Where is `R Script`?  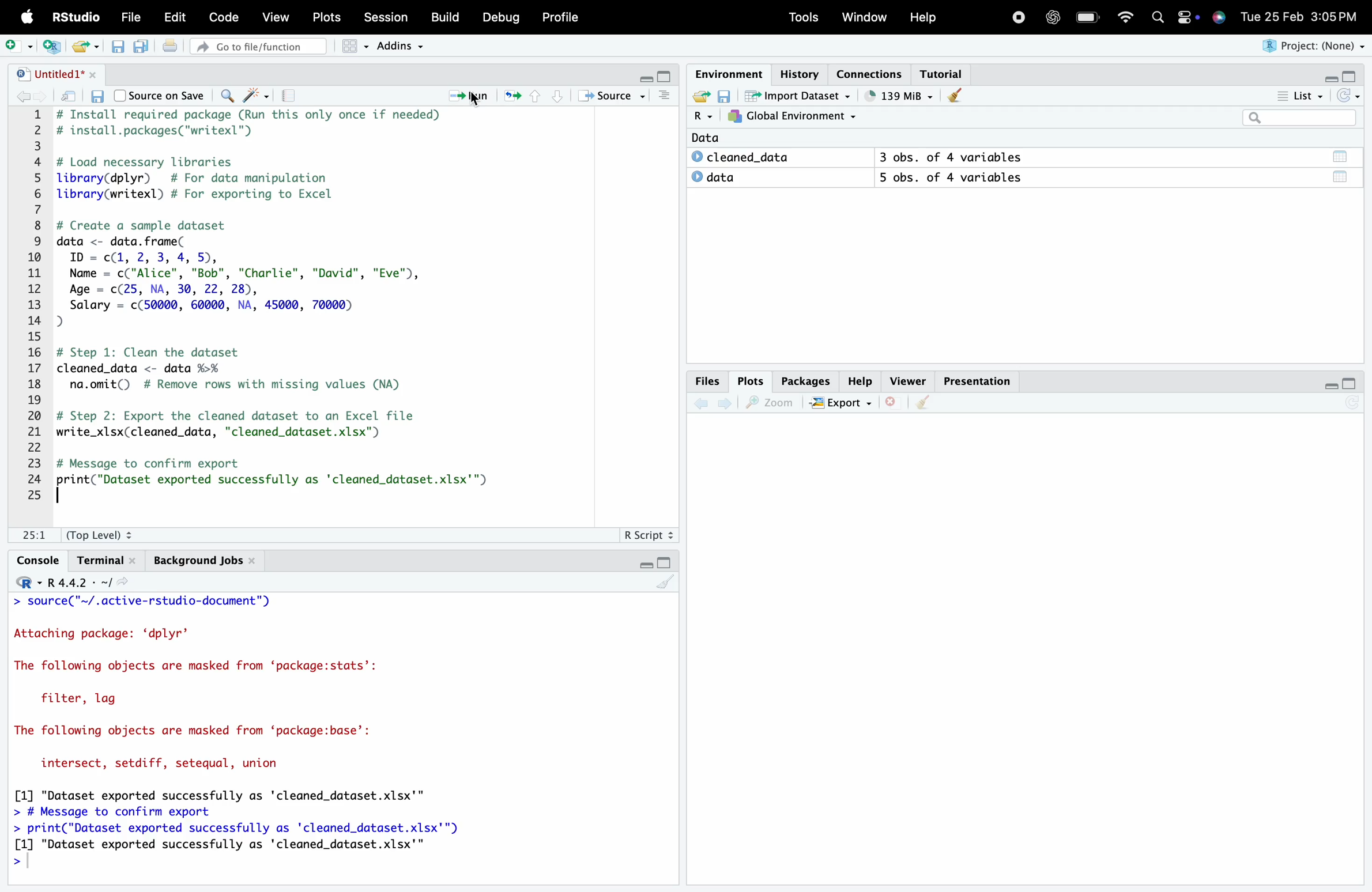 R Script is located at coordinates (649, 533).